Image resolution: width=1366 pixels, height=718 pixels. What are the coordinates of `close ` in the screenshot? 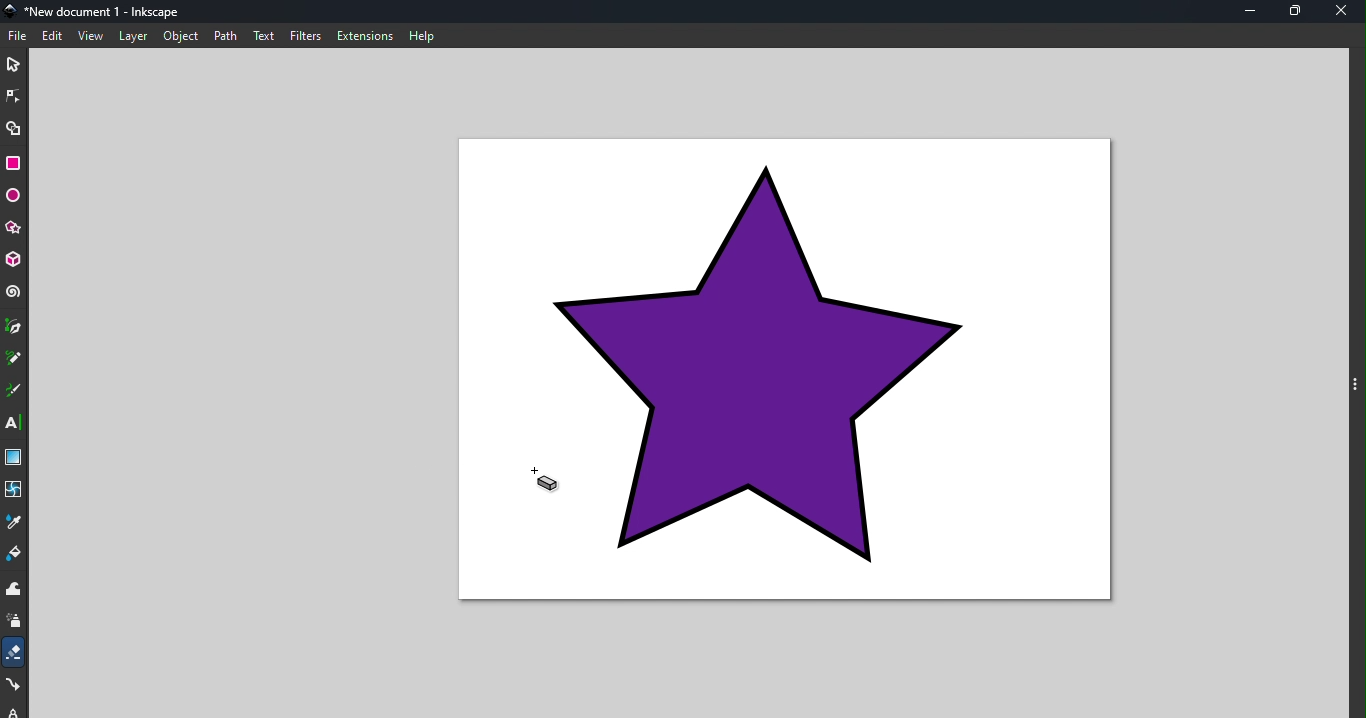 It's located at (1346, 12).